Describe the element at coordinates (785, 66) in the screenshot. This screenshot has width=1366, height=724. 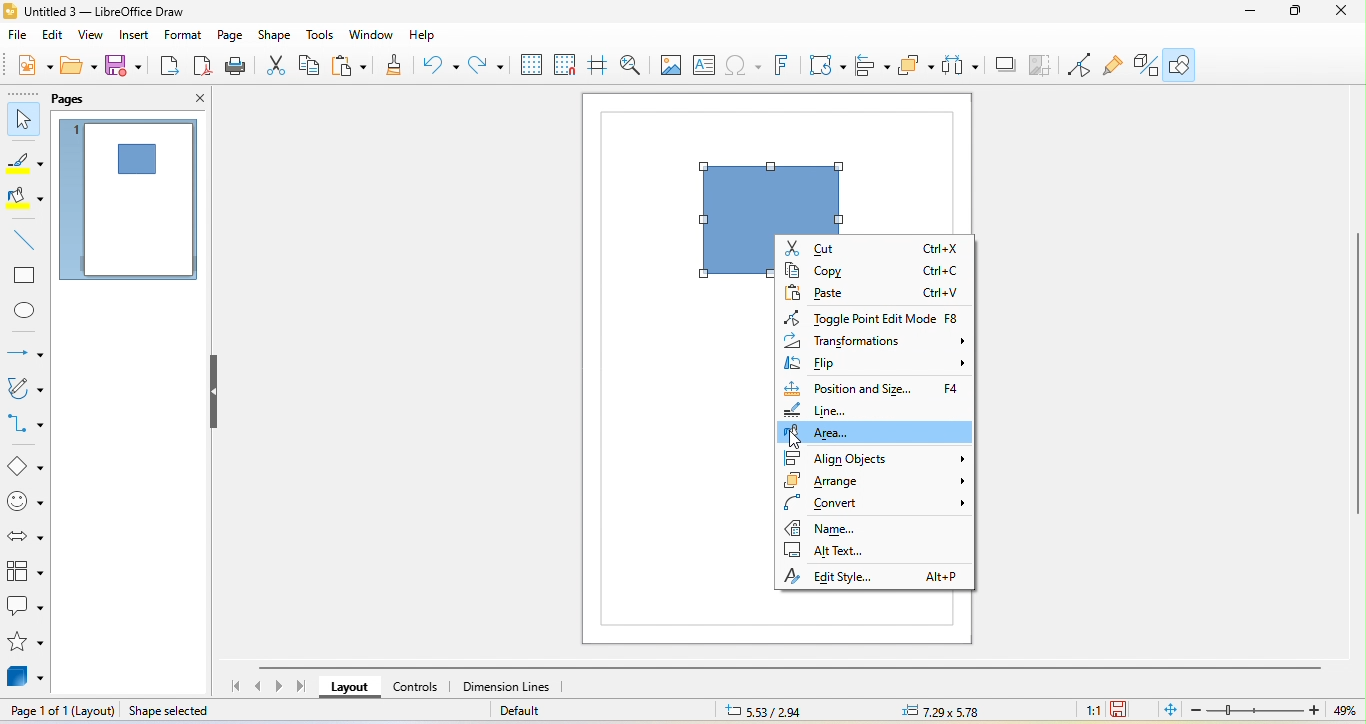
I see `fontwork text` at that location.